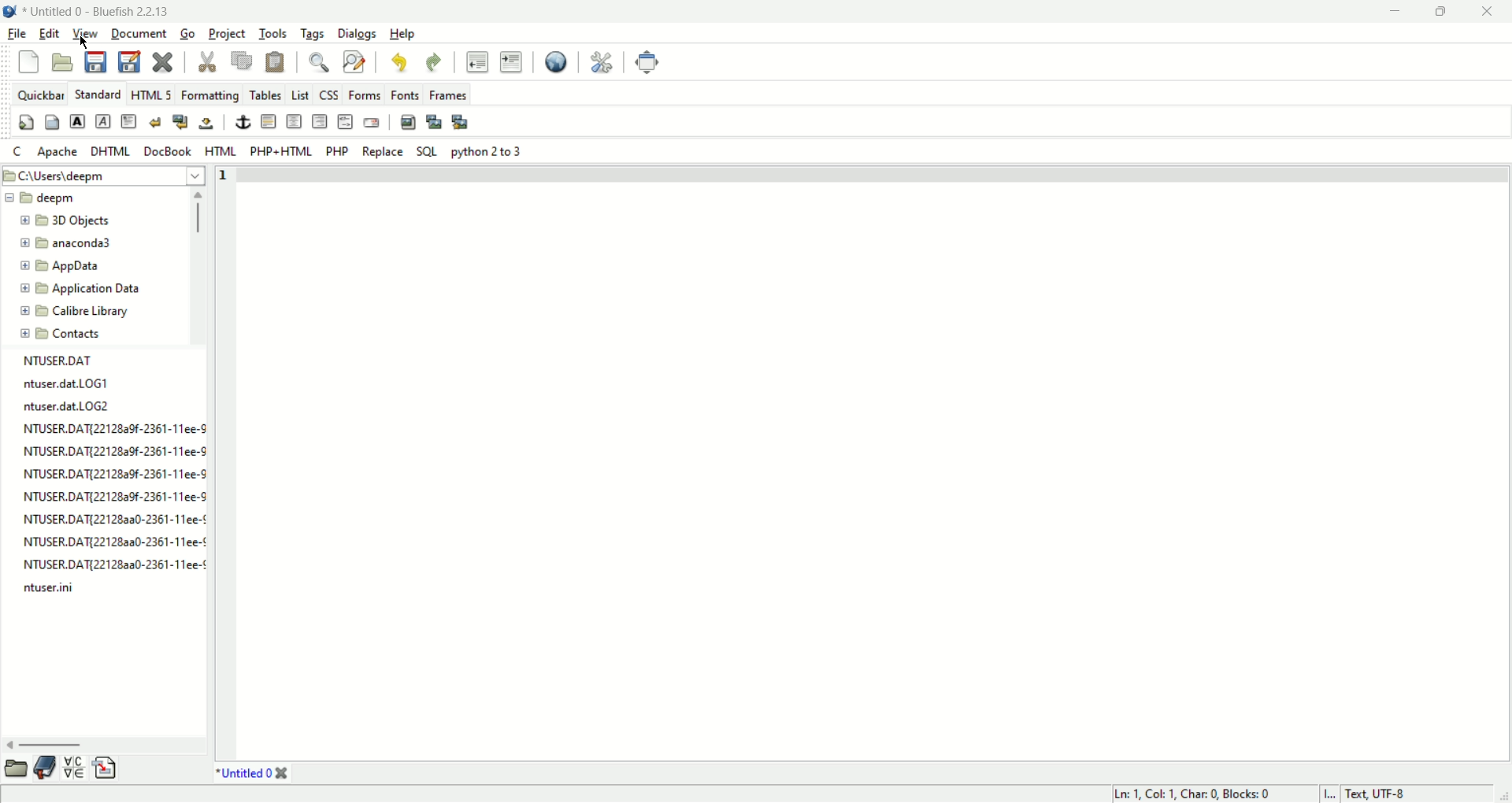  I want to click on ntuser.ini, so click(50, 589).